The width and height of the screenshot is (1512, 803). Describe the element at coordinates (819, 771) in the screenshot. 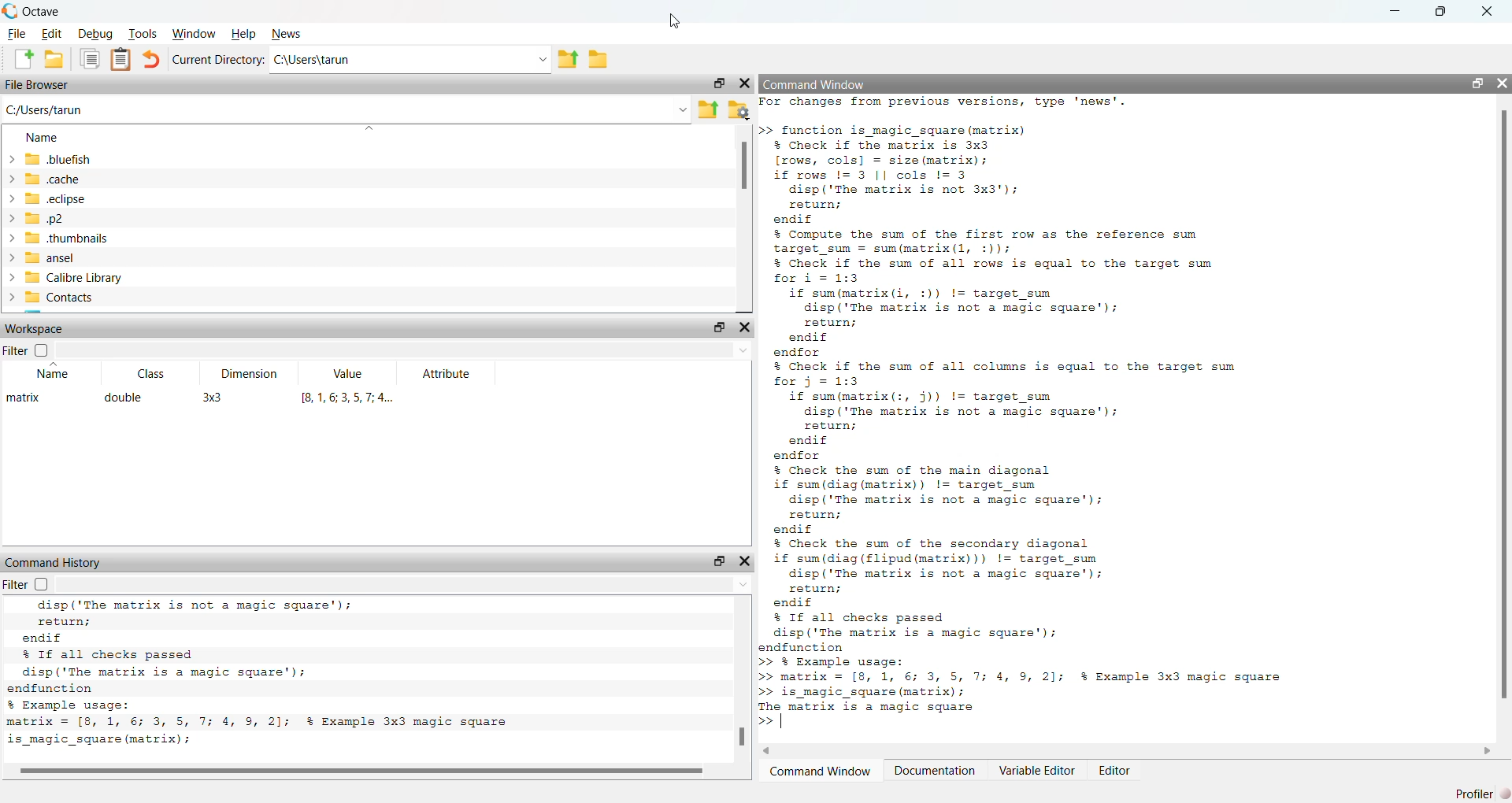

I see `Command Window` at that location.